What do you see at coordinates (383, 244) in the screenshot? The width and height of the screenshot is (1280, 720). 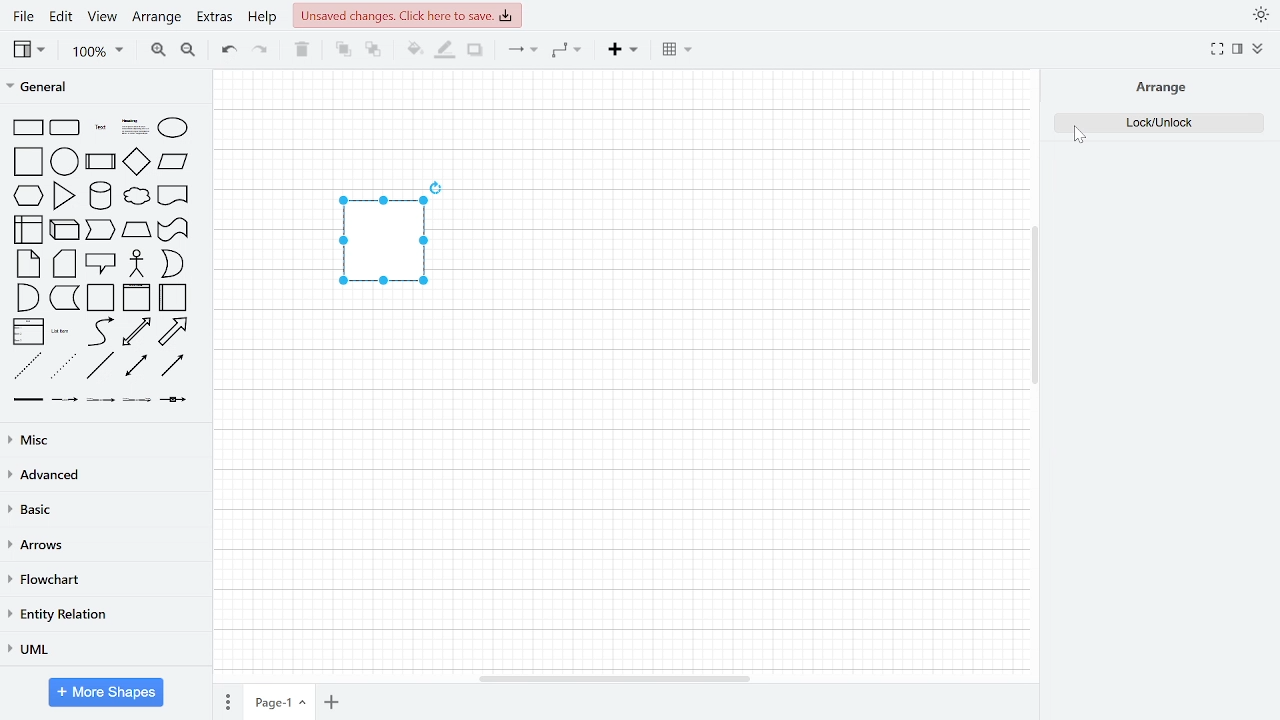 I see `locked shape` at bounding box center [383, 244].